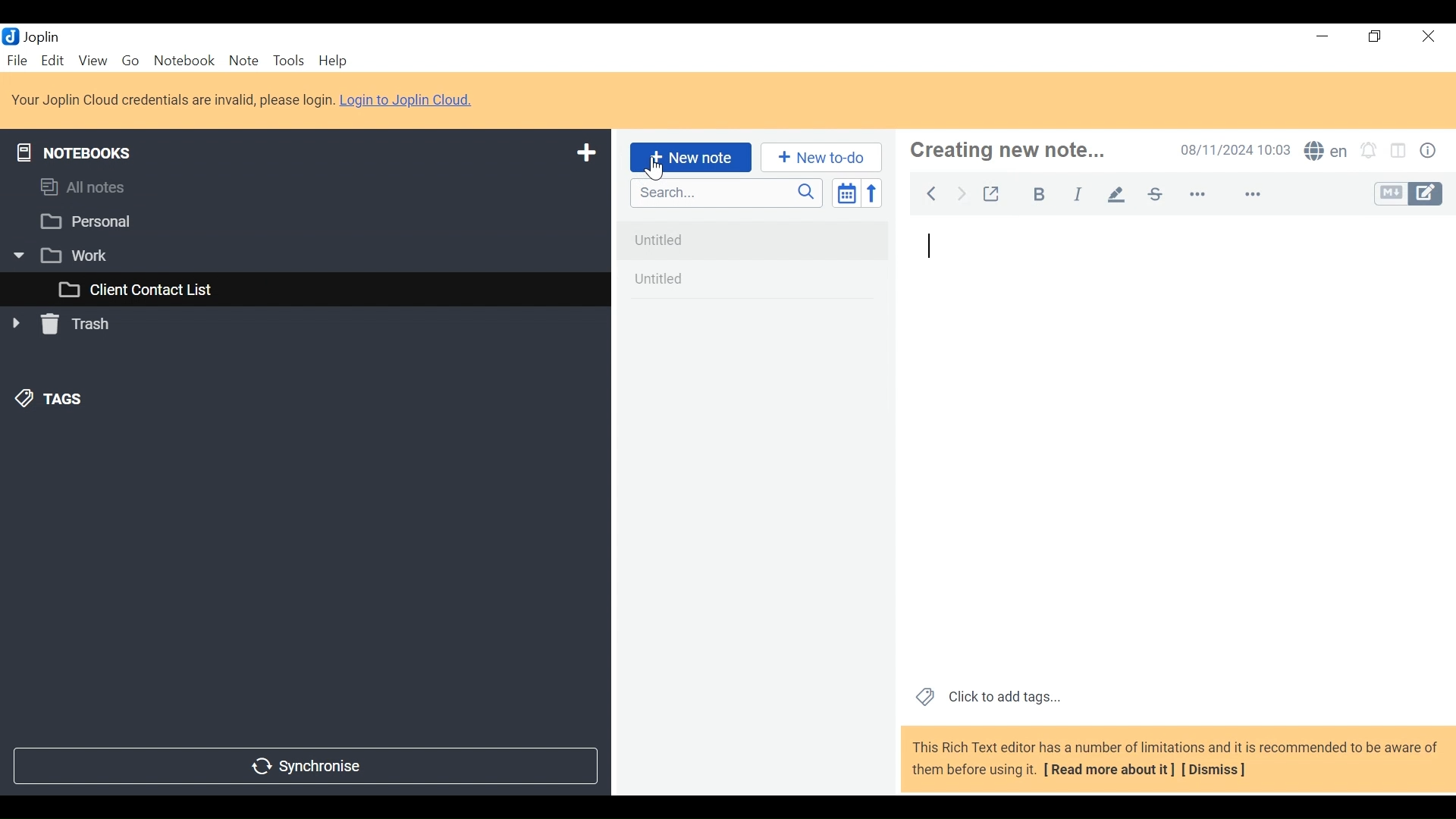 The width and height of the screenshot is (1456, 819). What do you see at coordinates (690, 158) in the screenshot?
I see `Add New Note` at bounding box center [690, 158].